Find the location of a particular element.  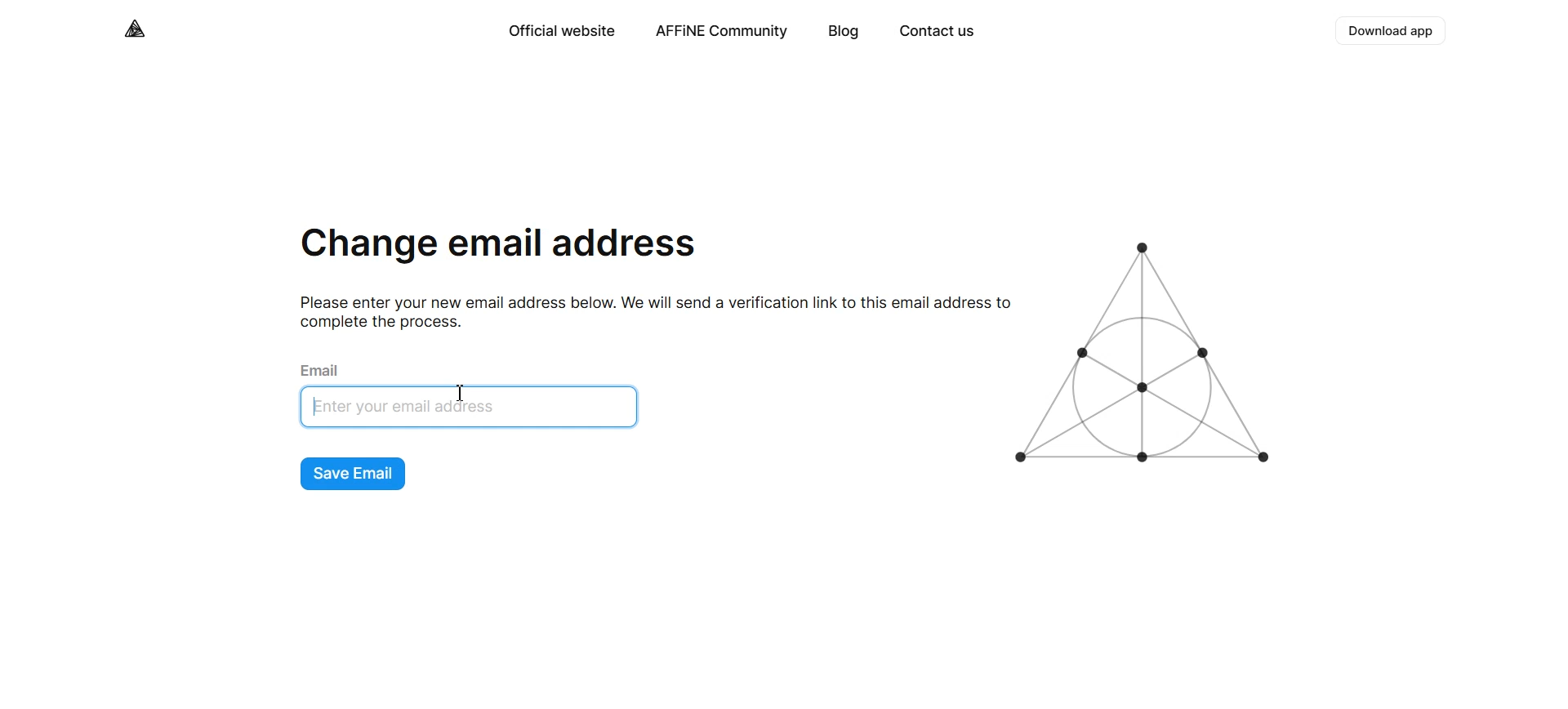

Enter email id is located at coordinates (475, 408).